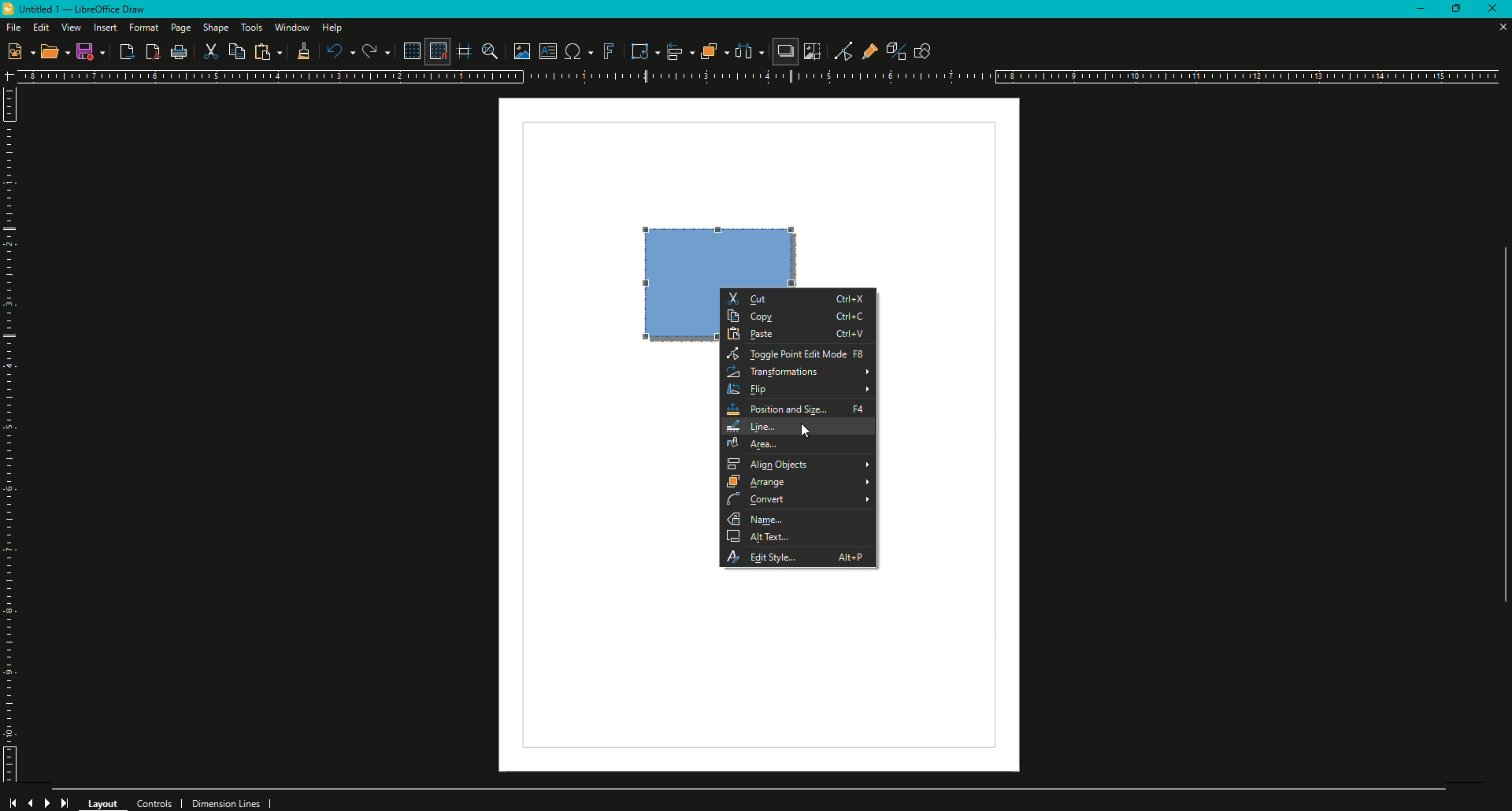  What do you see at coordinates (576, 51) in the screenshot?
I see `Insert Special Characters` at bounding box center [576, 51].